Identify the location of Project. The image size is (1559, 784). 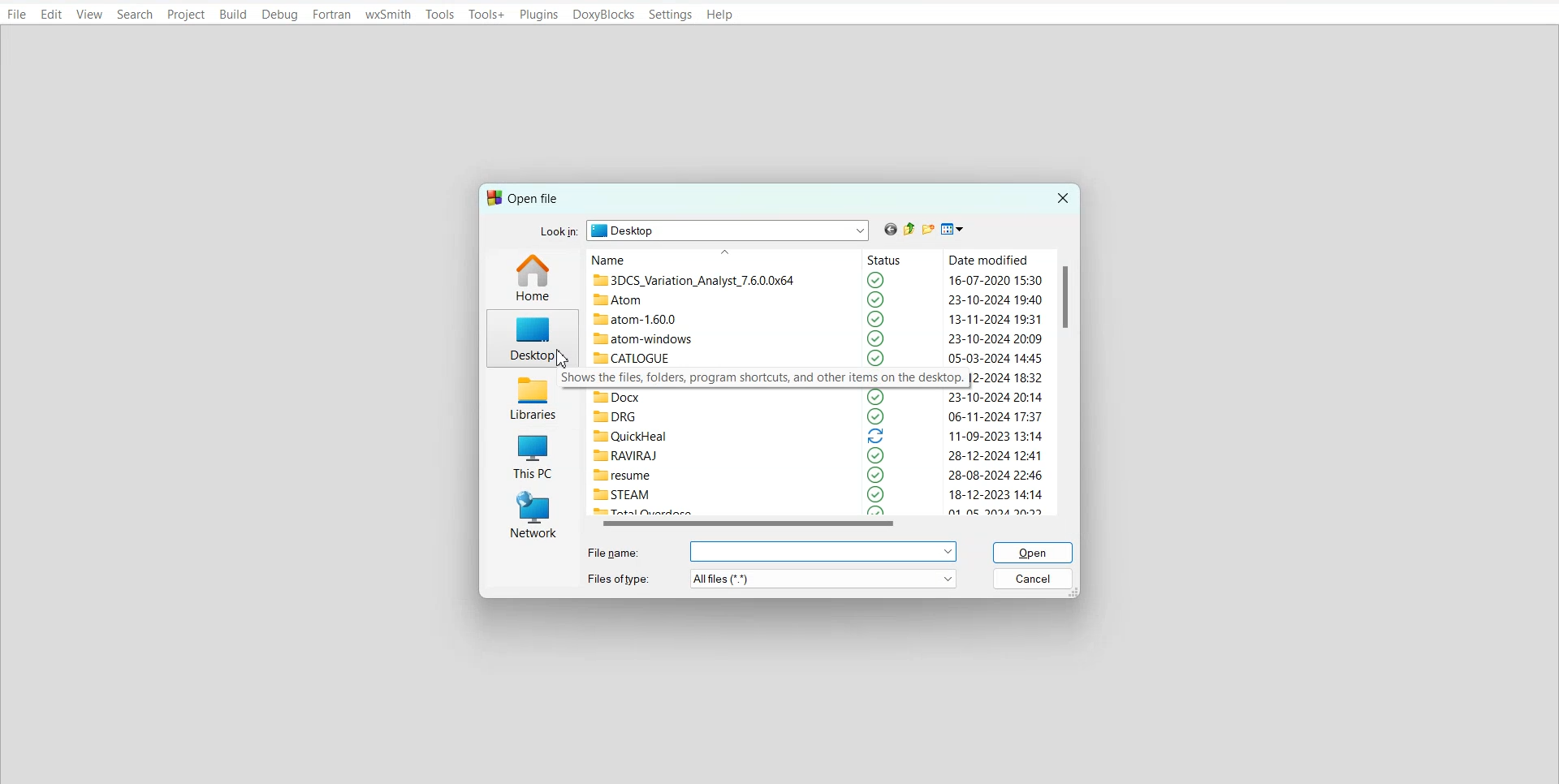
(185, 15).